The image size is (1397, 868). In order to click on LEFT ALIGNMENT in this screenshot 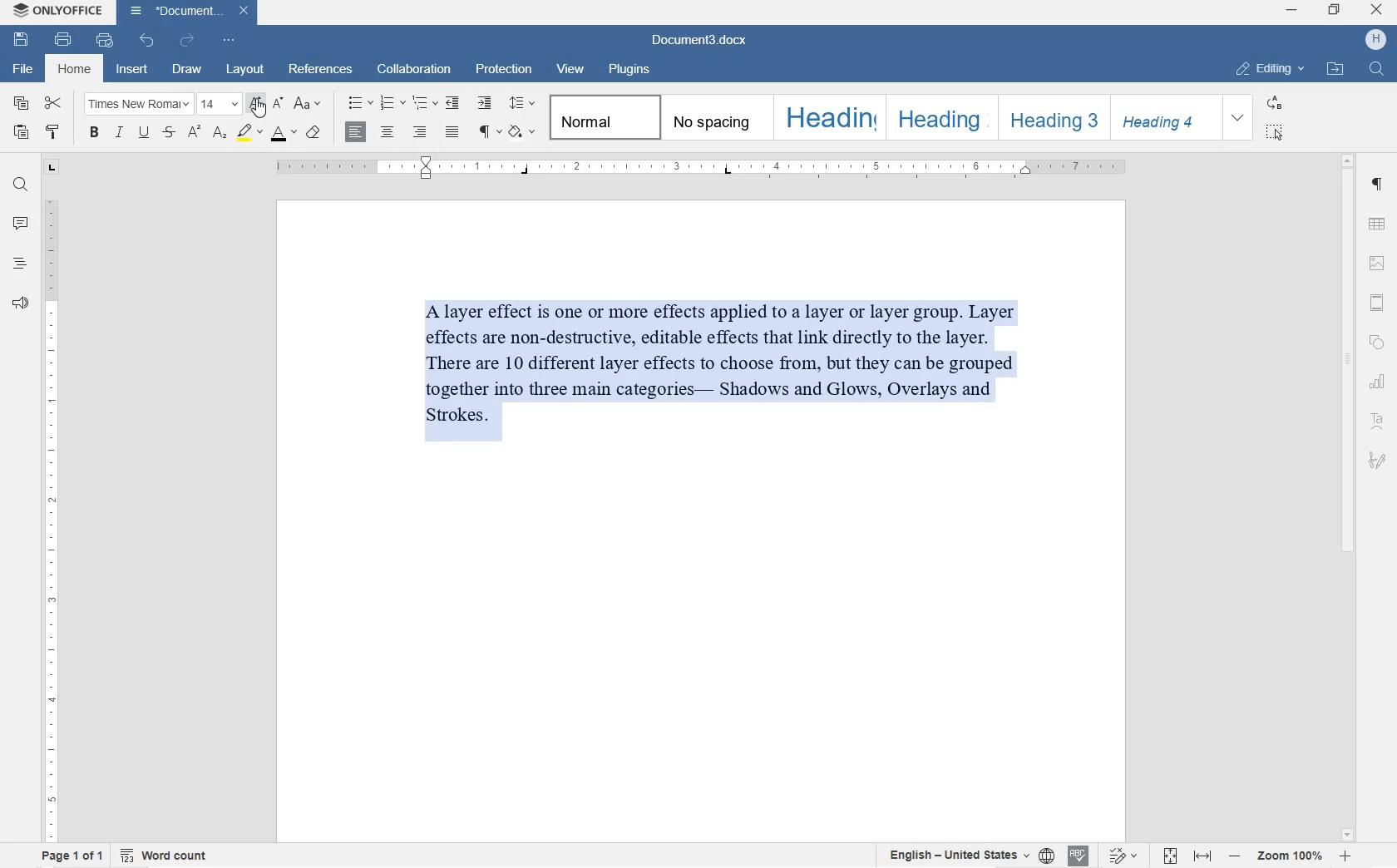, I will do `click(358, 131)`.